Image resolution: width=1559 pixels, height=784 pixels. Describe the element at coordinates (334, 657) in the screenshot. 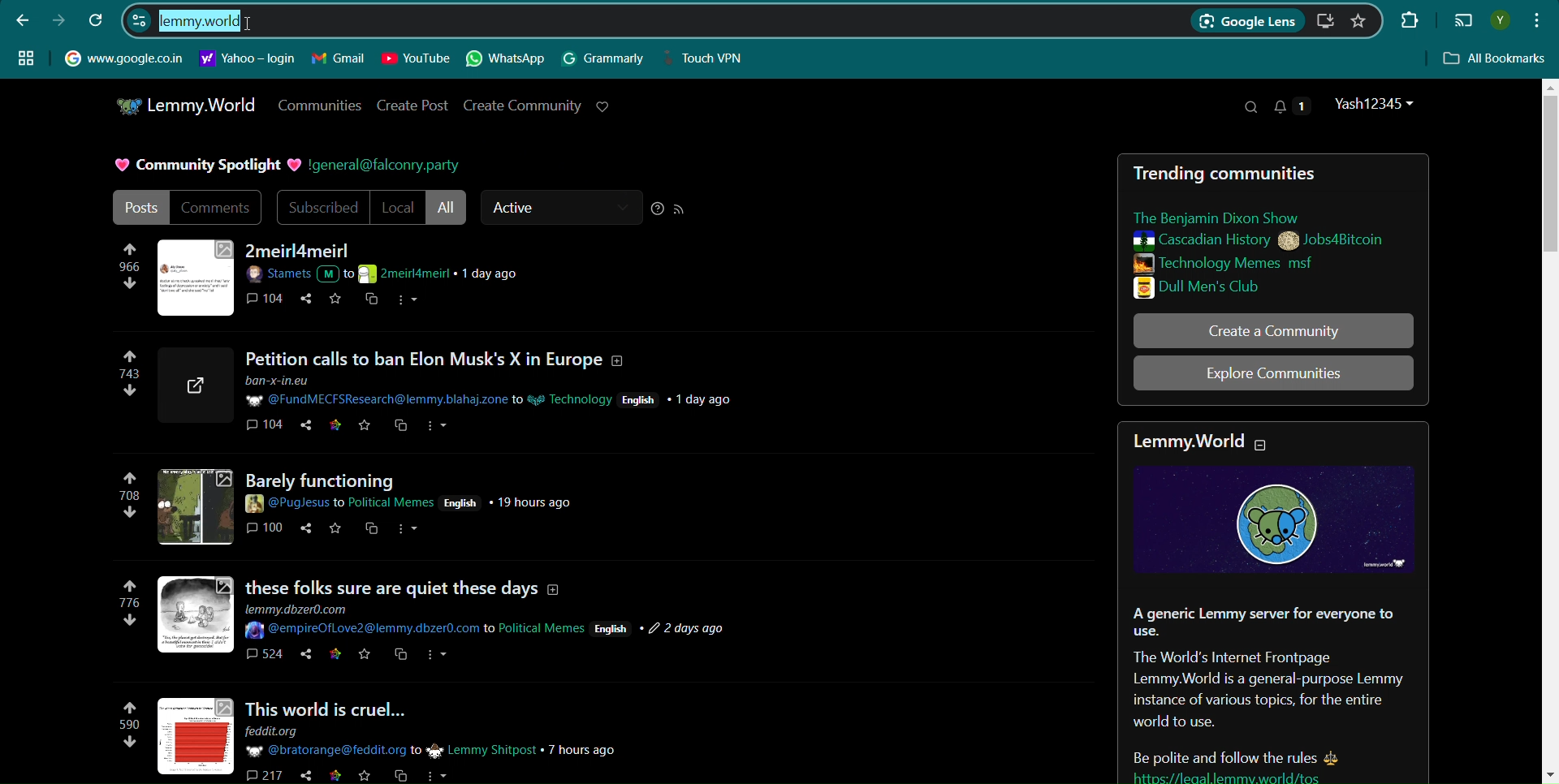

I see `star` at that location.